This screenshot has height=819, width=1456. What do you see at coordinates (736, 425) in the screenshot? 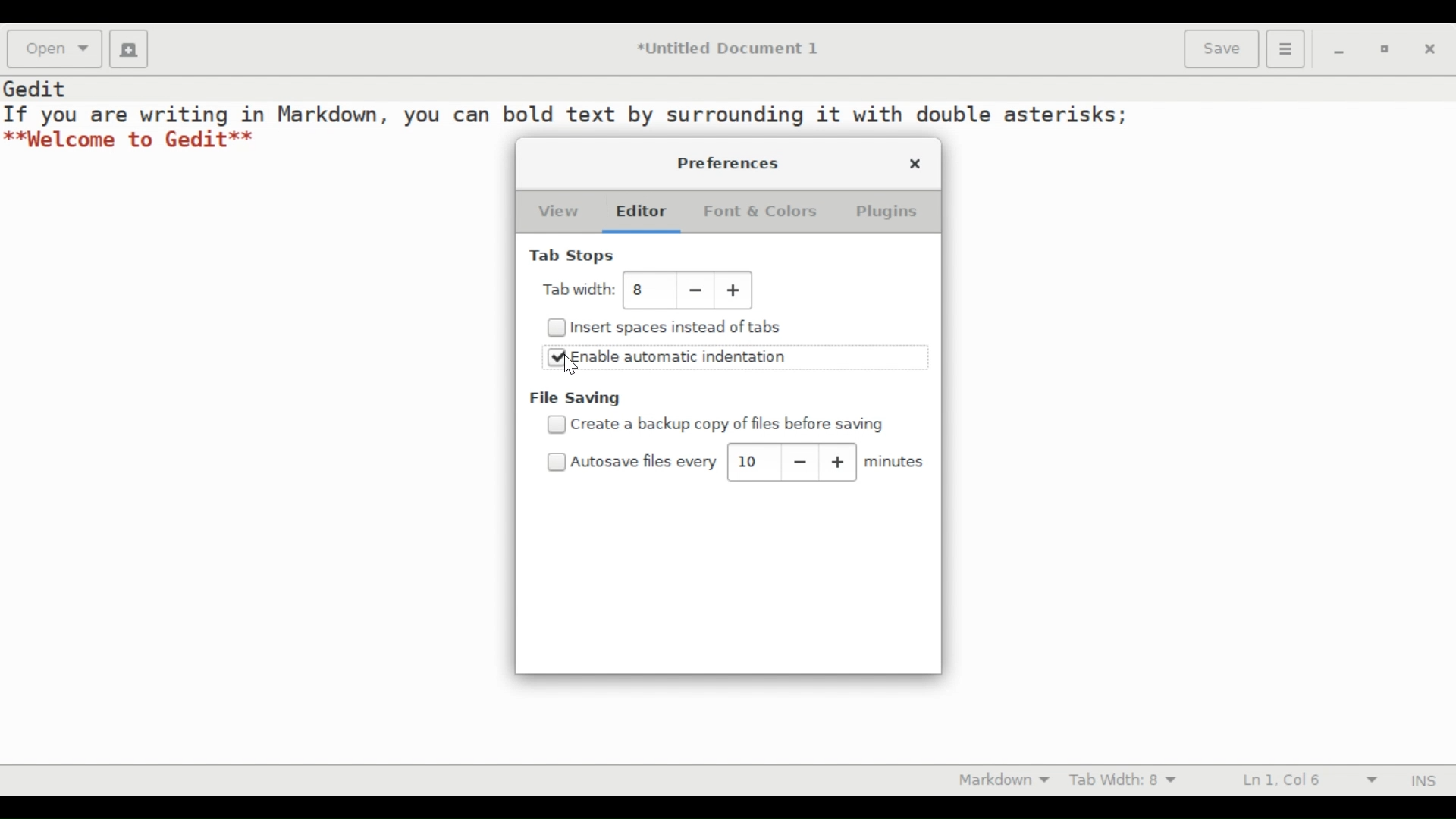
I see `create a backup copy of files before saving` at bounding box center [736, 425].